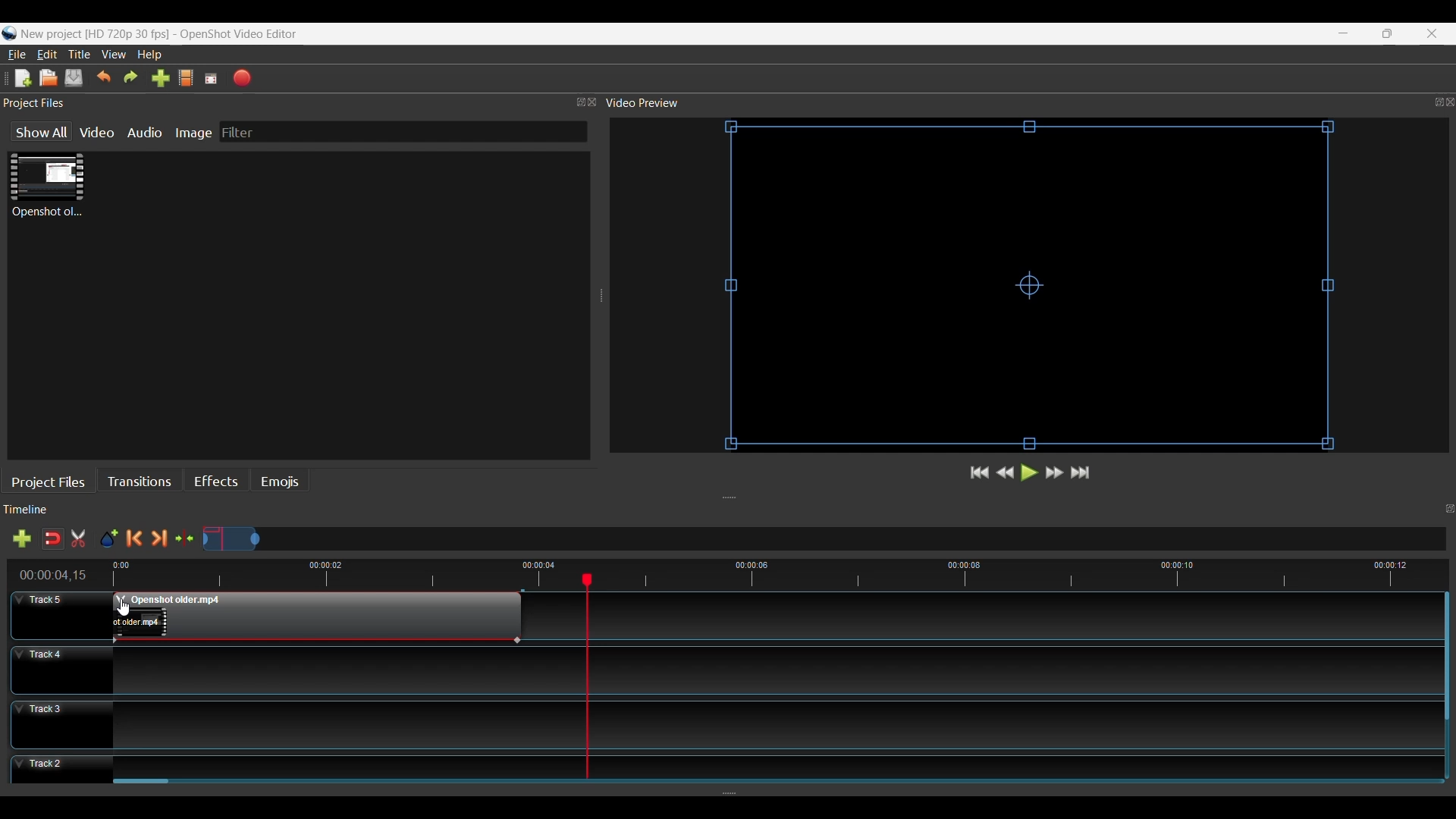  What do you see at coordinates (9, 34) in the screenshot?
I see `Openshot Desktop icon` at bounding box center [9, 34].